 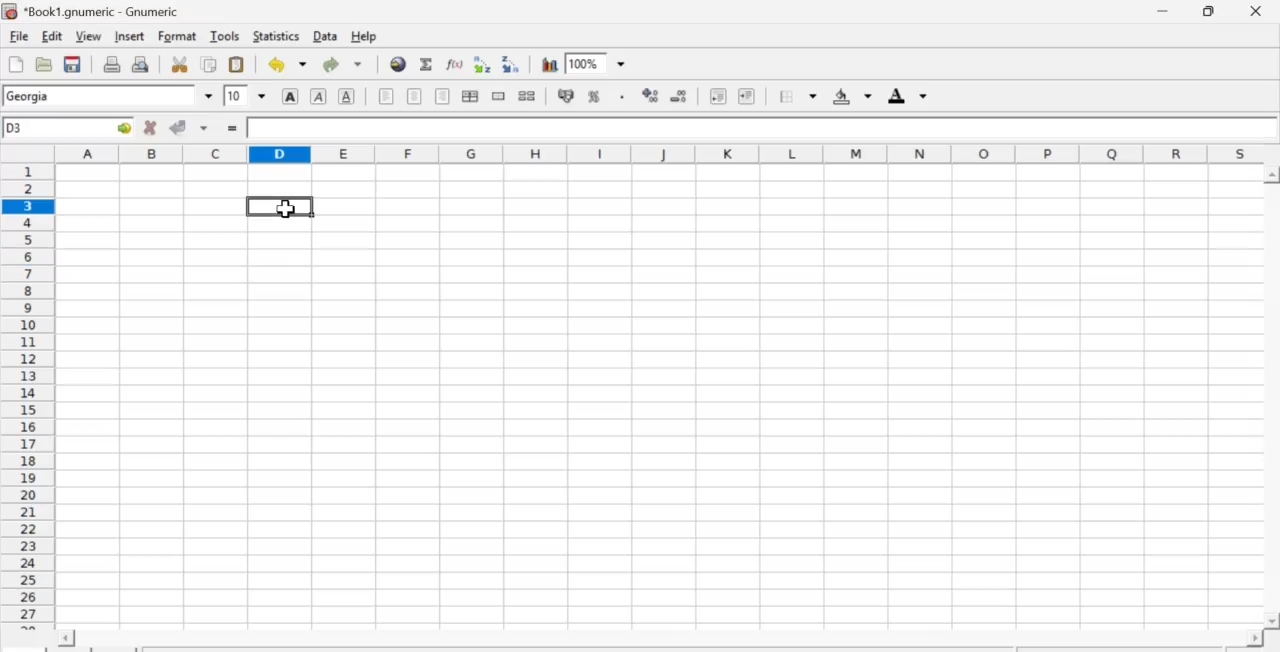 What do you see at coordinates (130, 35) in the screenshot?
I see `Insert` at bounding box center [130, 35].